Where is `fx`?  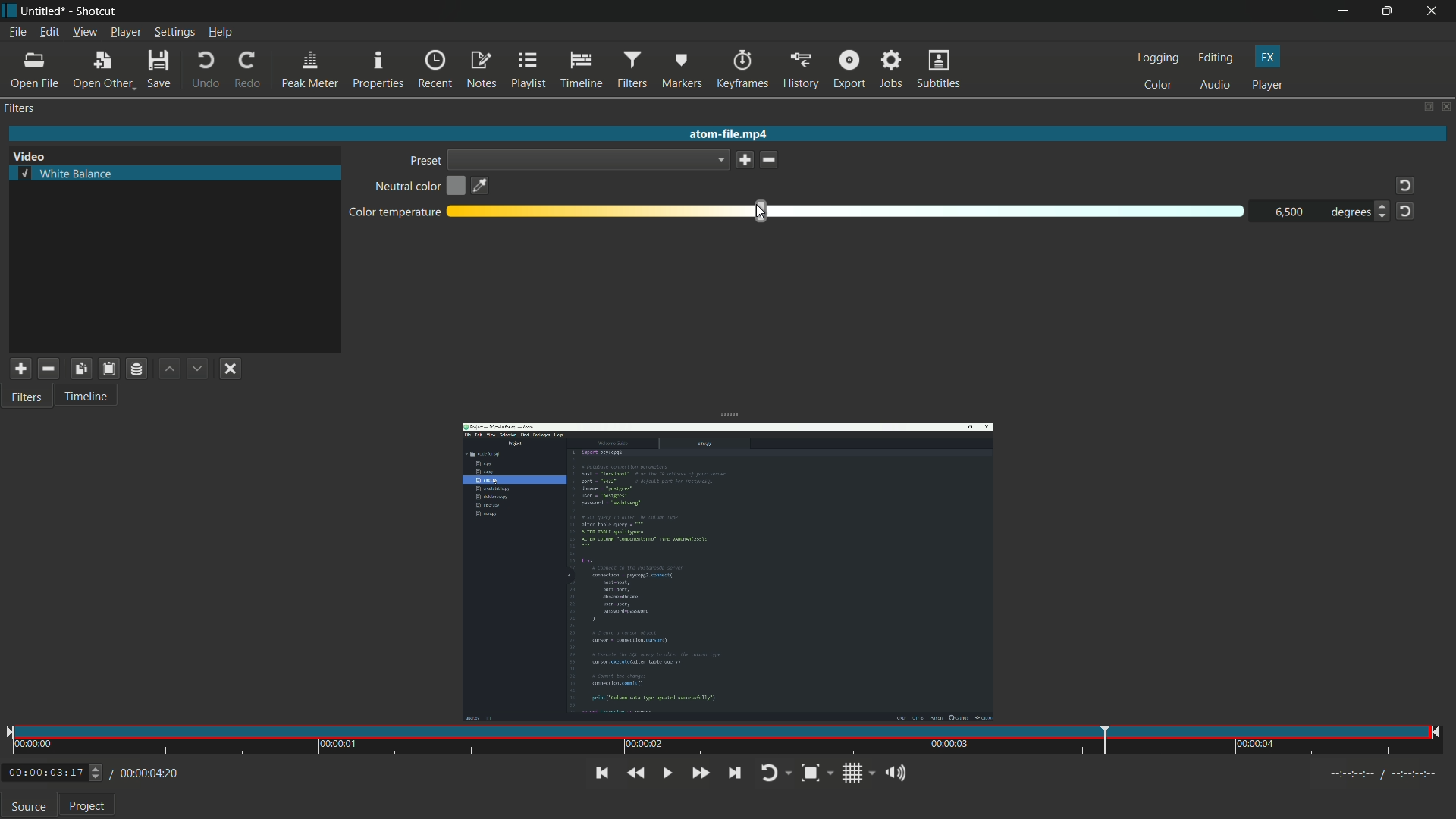
fx is located at coordinates (1267, 58).